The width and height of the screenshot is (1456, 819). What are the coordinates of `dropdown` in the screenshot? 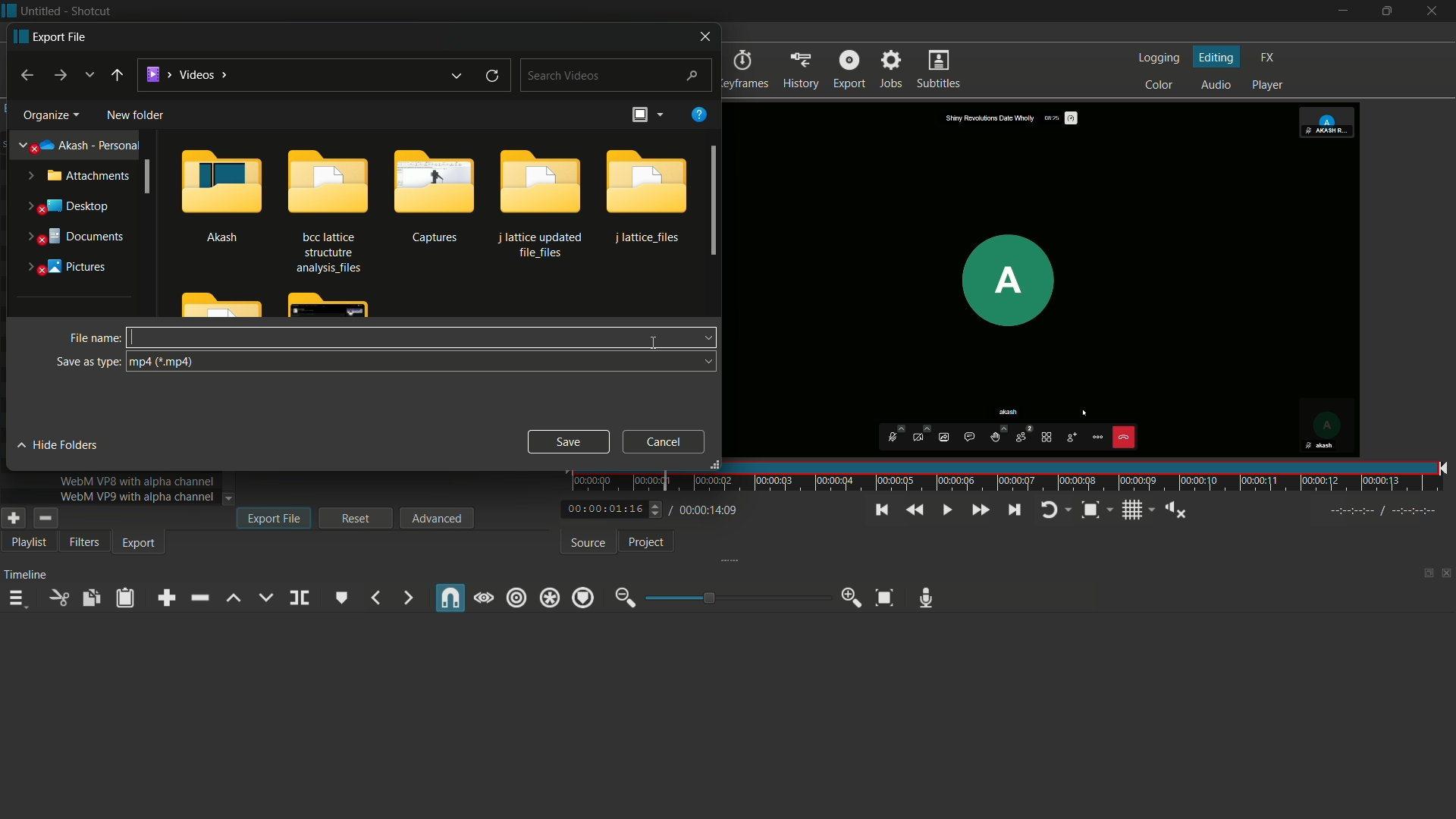 It's located at (703, 339).